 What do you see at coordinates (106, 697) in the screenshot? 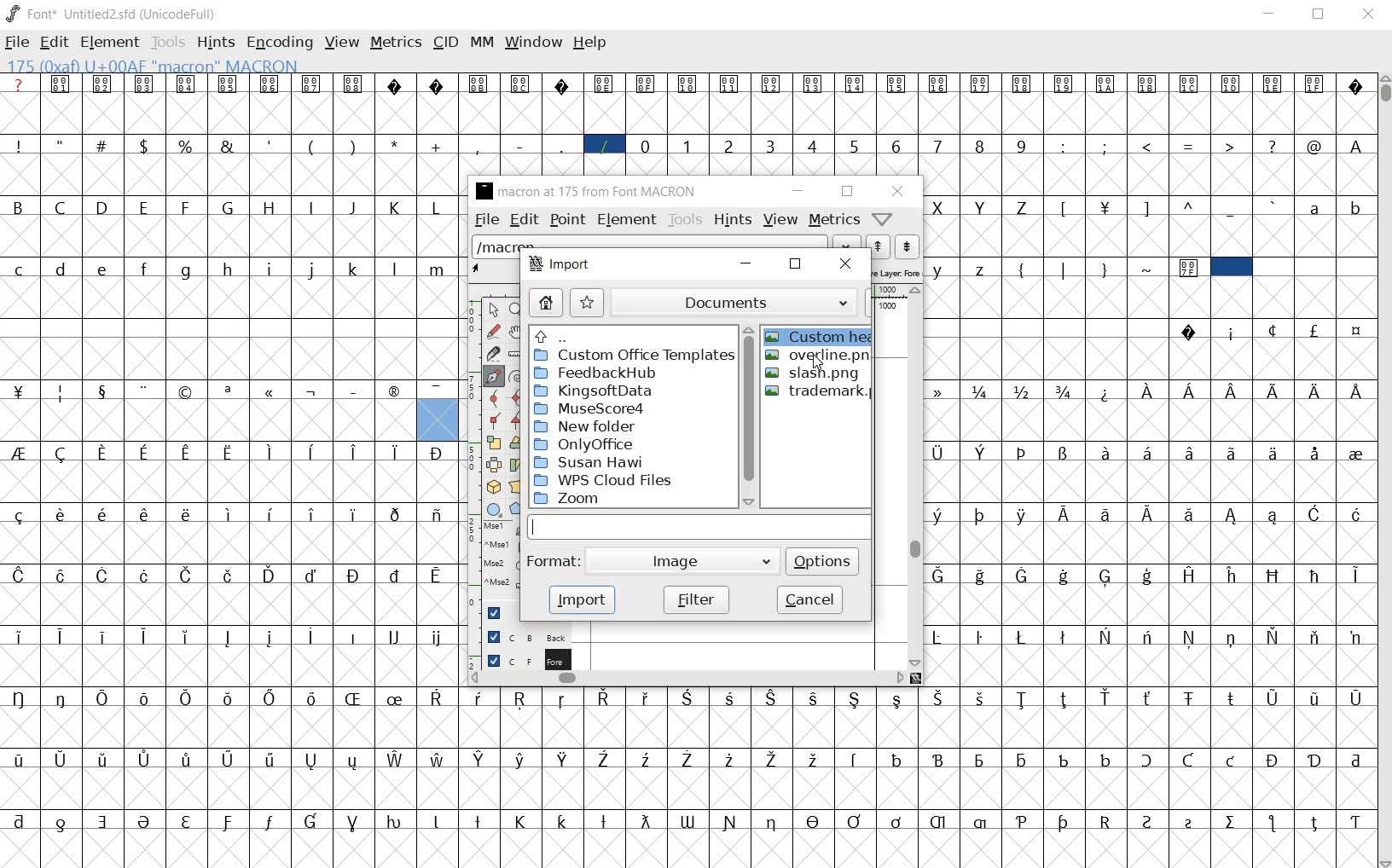
I see `Symbol` at bounding box center [106, 697].